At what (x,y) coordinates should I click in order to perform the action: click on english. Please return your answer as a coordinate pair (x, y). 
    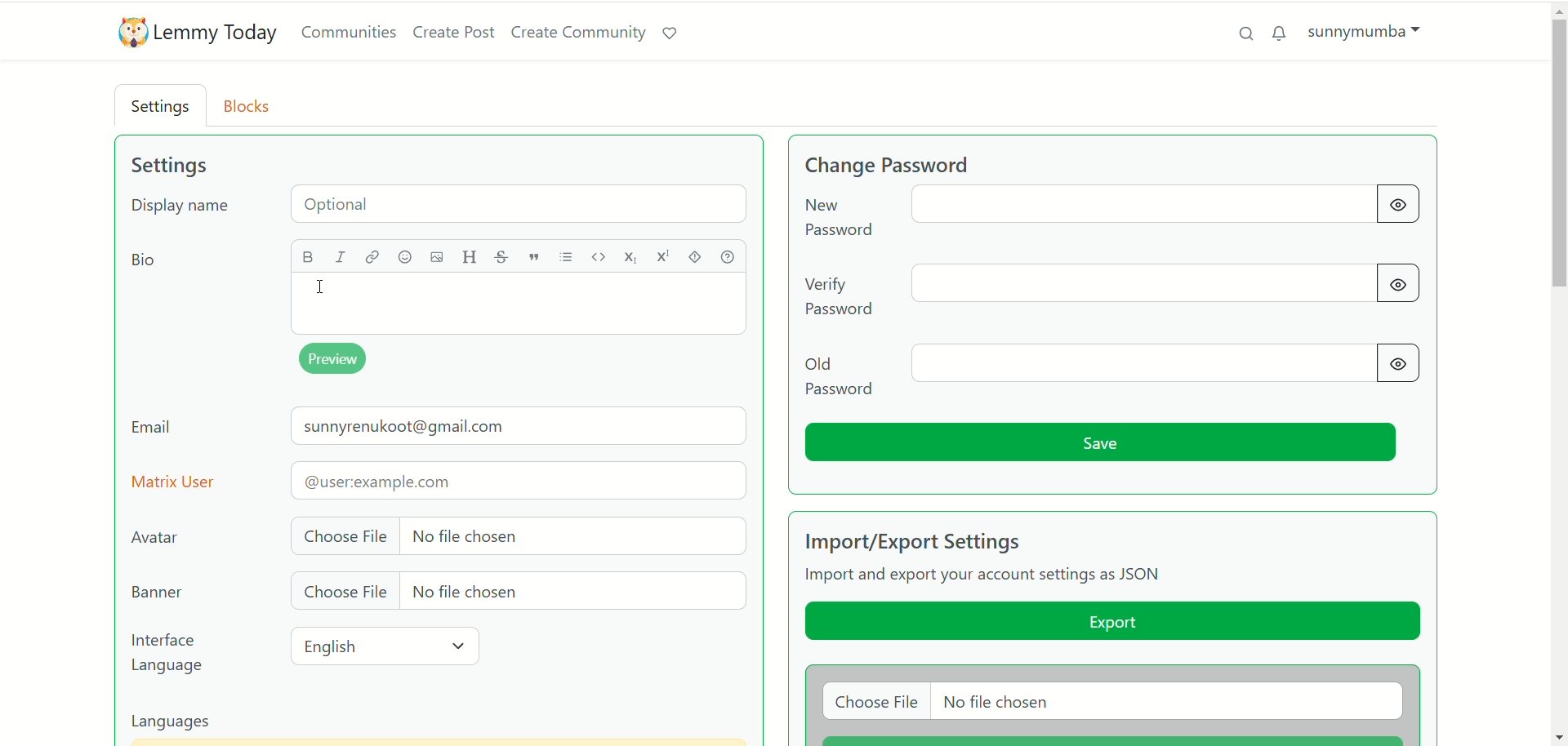
    Looking at the image, I should click on (389, 646).